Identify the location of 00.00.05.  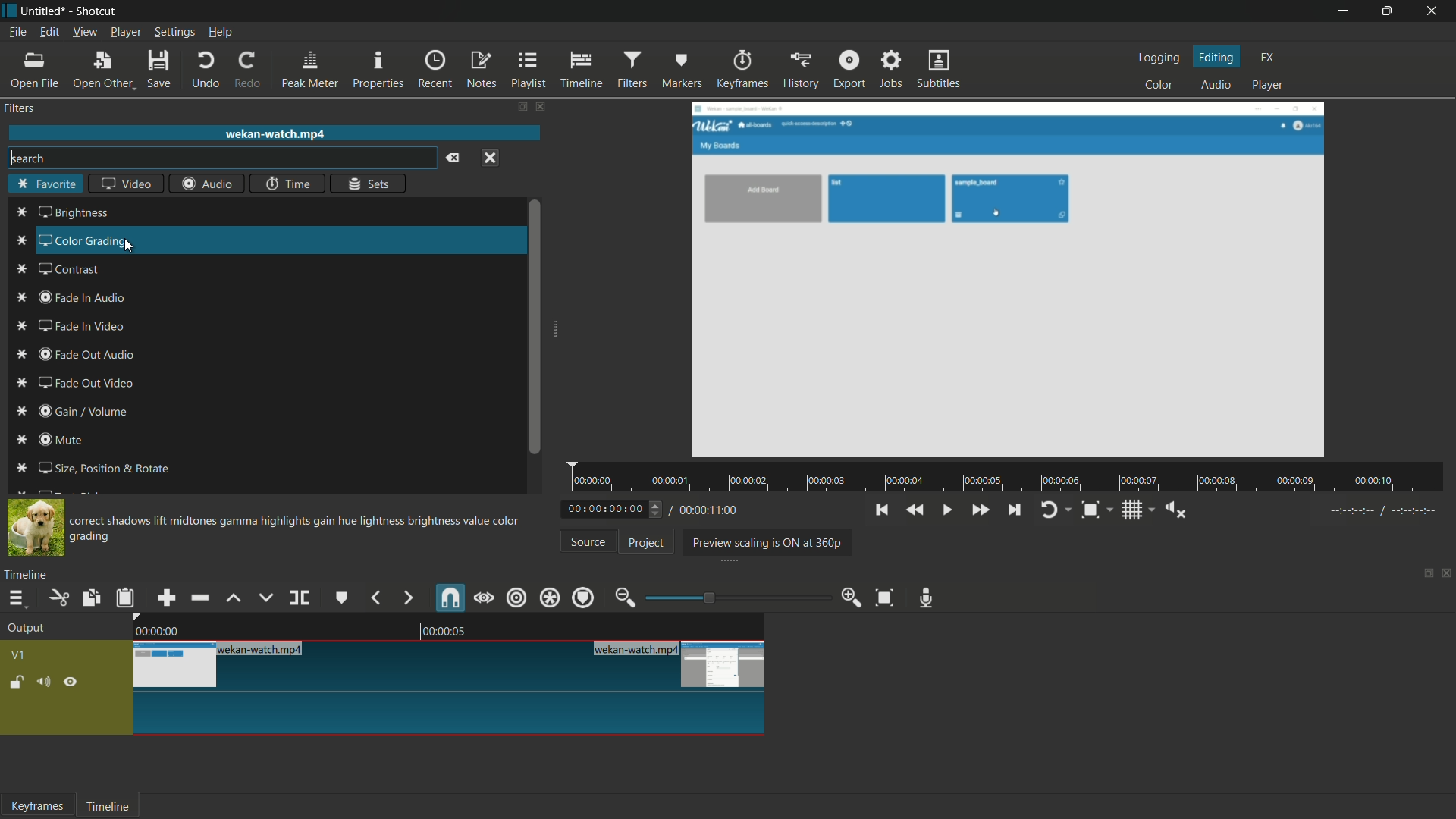
(457, 632).